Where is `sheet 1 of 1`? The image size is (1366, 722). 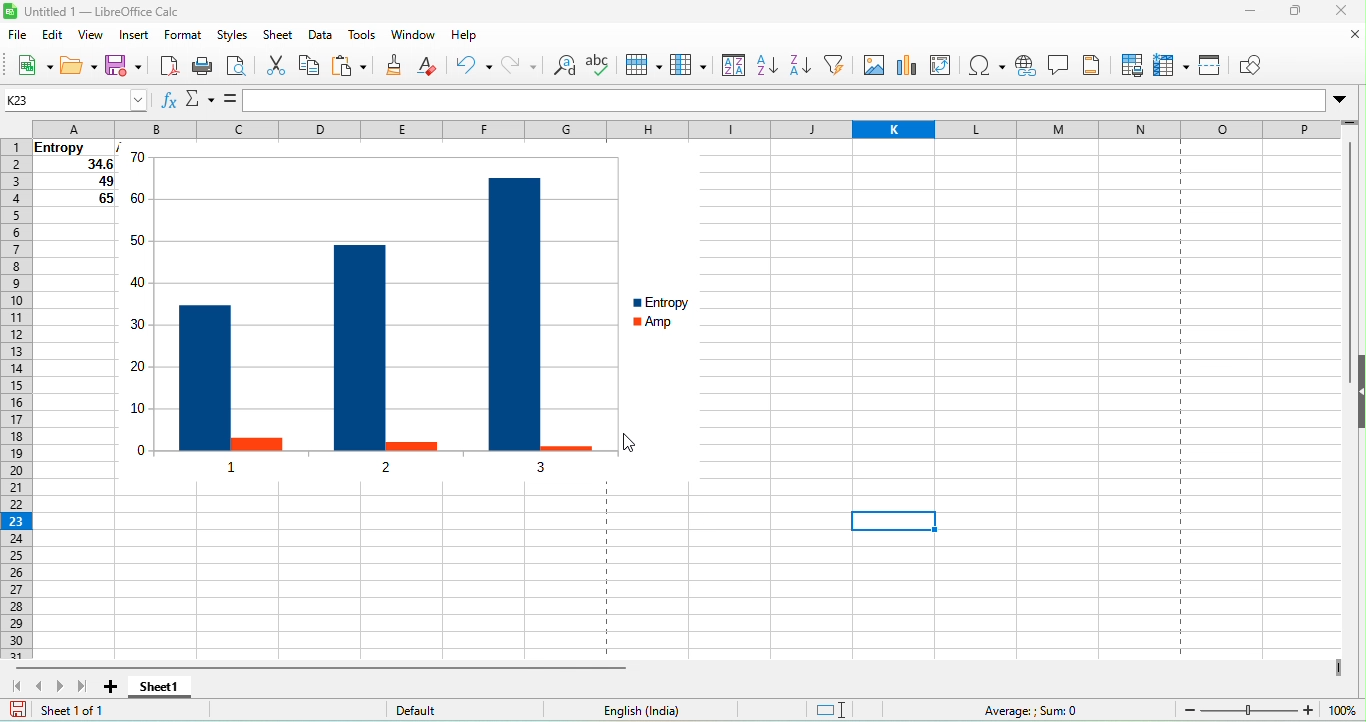
sheet 1 of 1 is located at coordinates (109, 711).